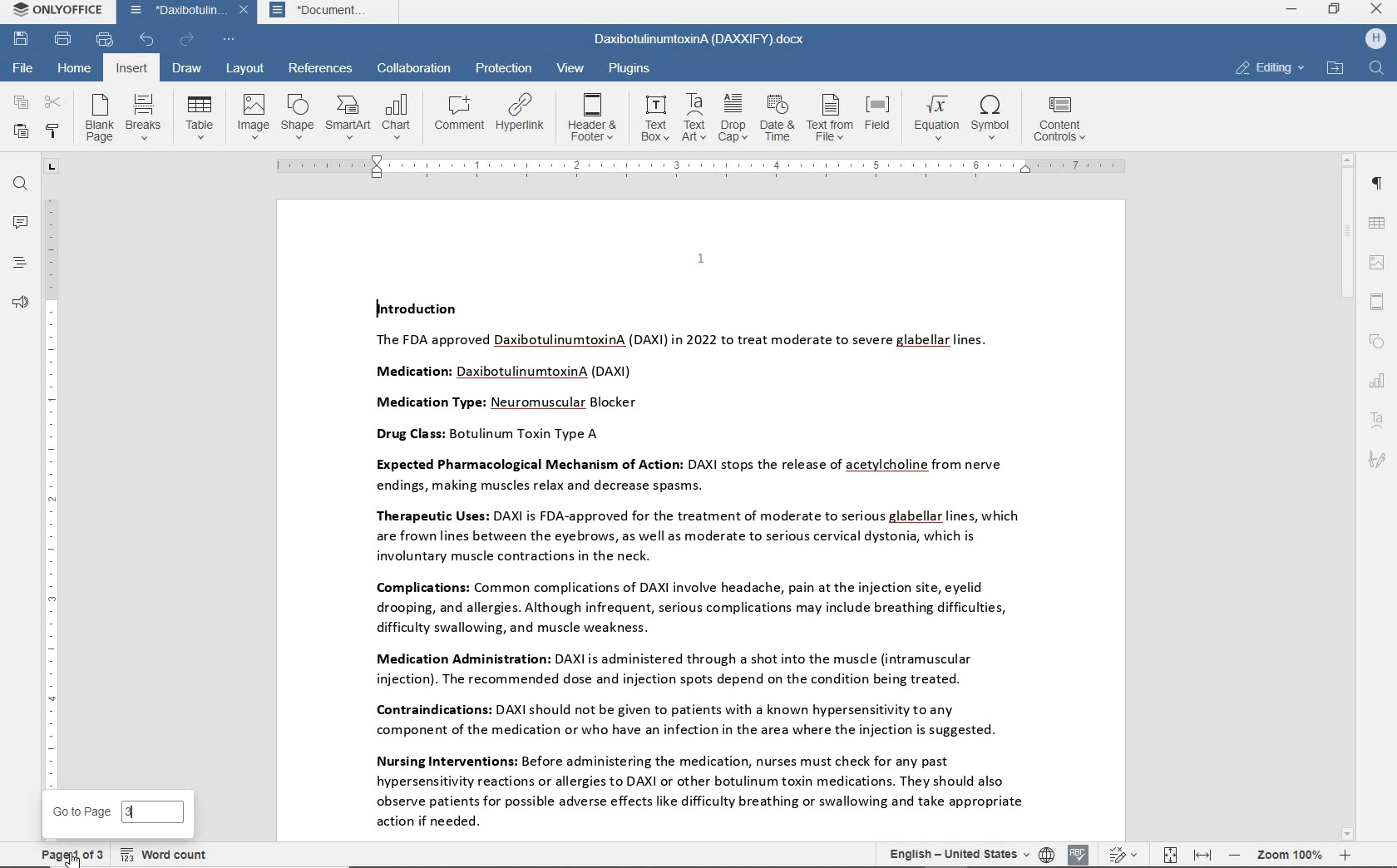 The height and width of the screenshot is (868, 1397). What do you see at coordinates (1379, 262) in the screenshot?
I see `image` at bounding box center [1379, 262].